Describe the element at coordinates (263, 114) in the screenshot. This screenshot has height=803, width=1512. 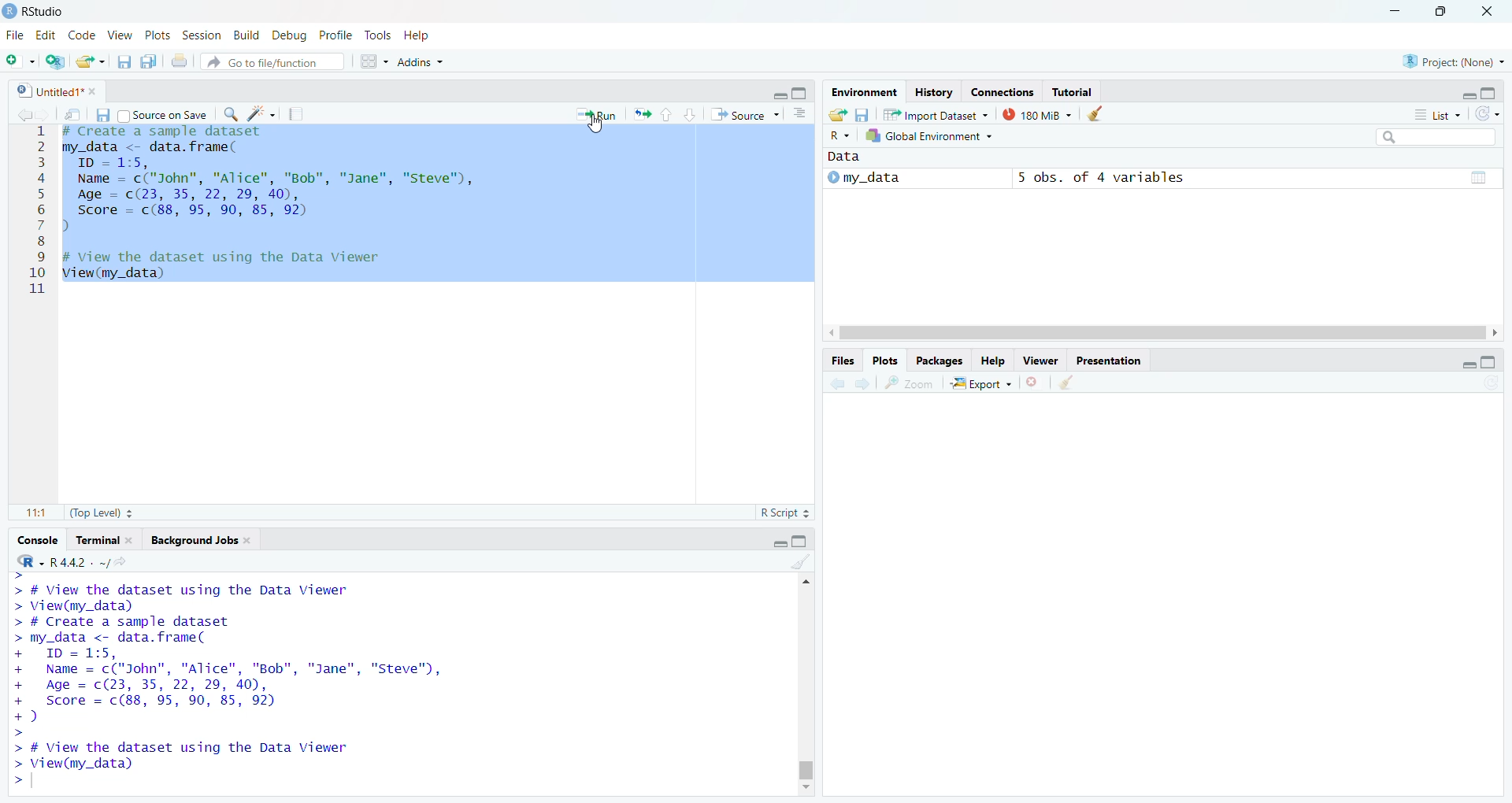
I see `Clear ` at that location.